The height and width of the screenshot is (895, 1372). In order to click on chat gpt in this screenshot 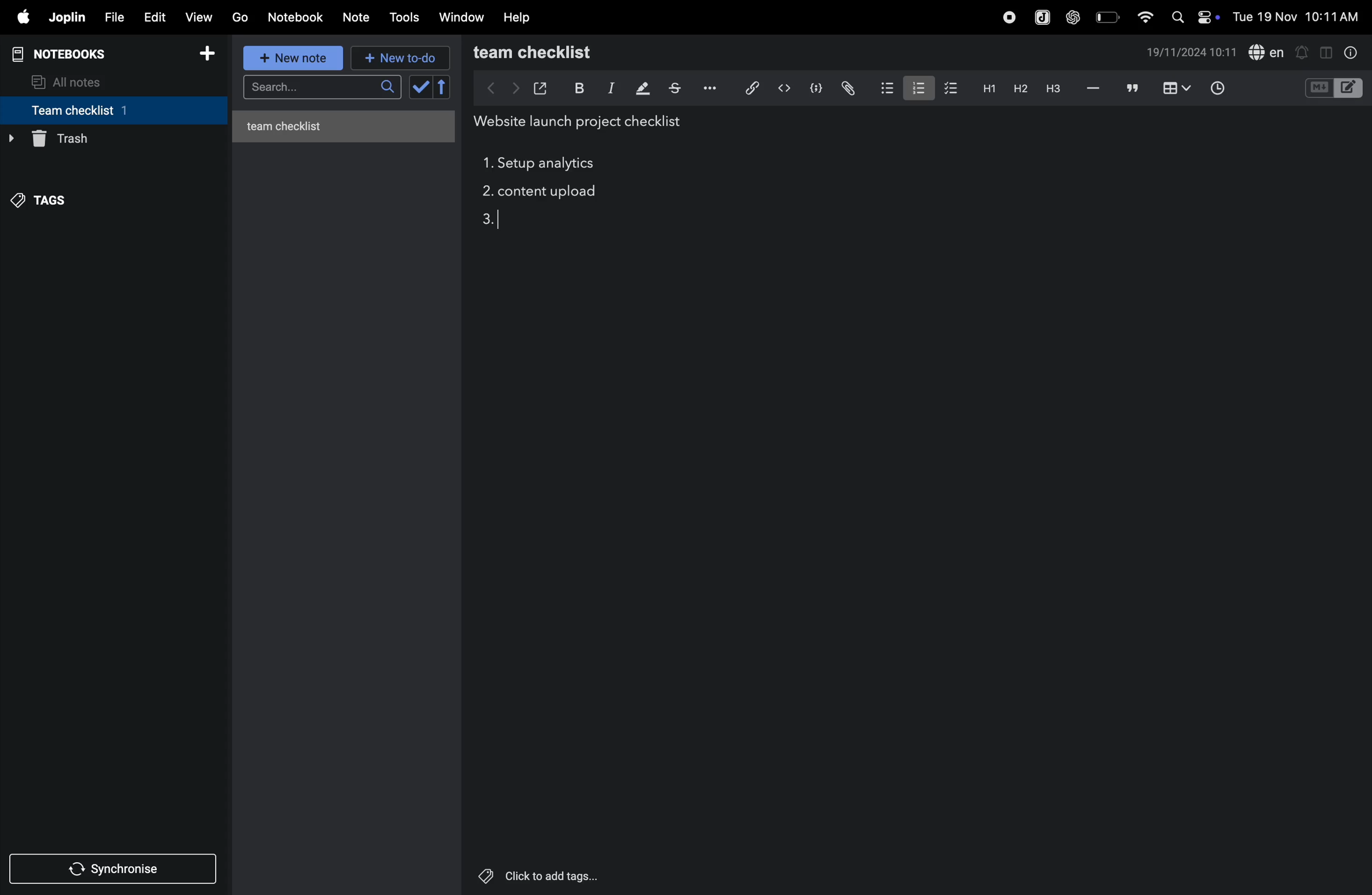, I will do `click(1071, 17)`.